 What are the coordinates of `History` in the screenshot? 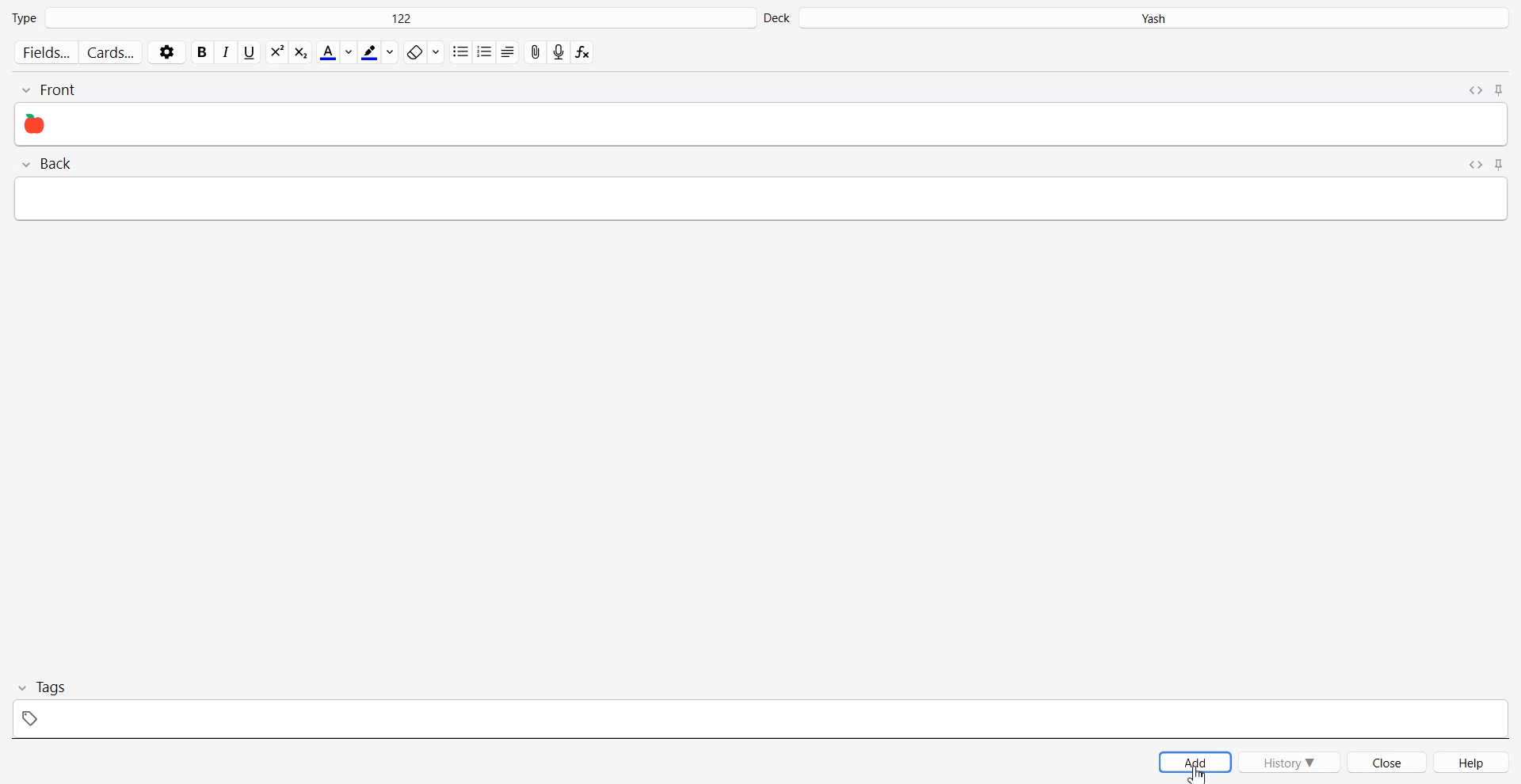 It's located at (1290, 762).